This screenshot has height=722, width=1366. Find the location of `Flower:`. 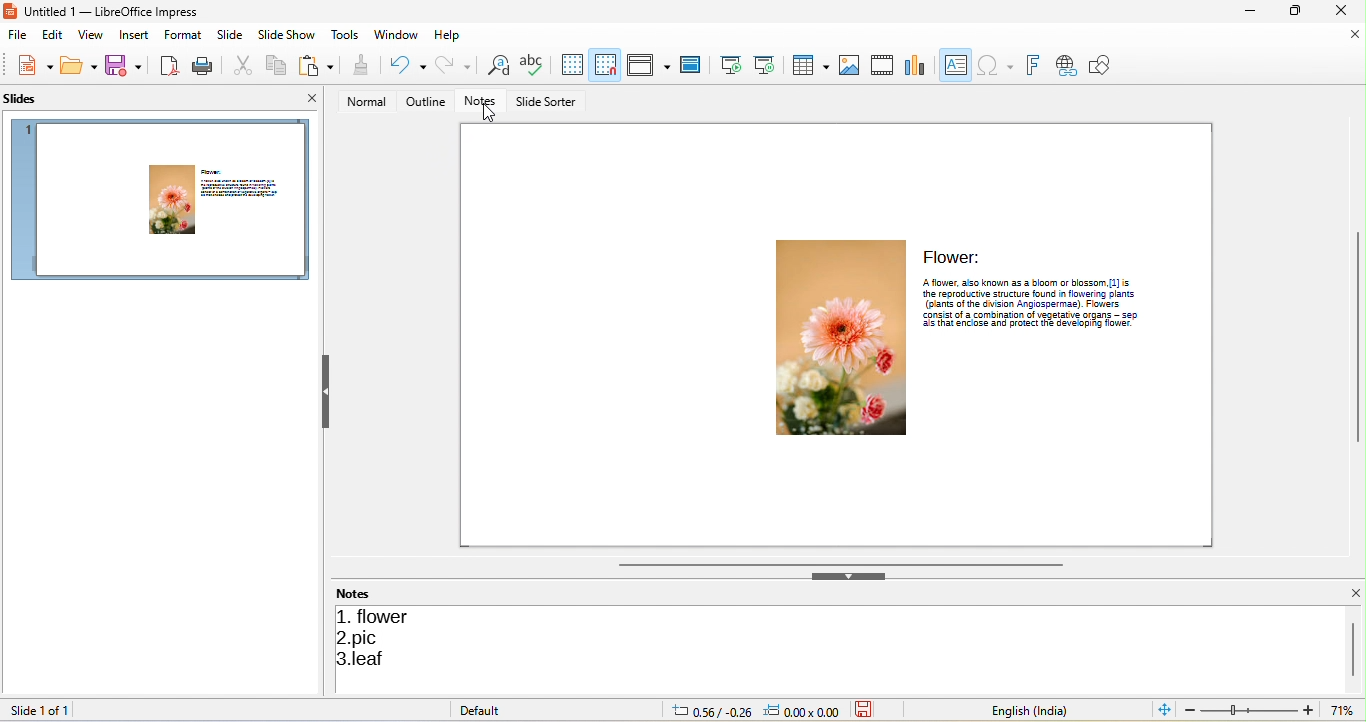

Flower: is located at coordinates (954, 256).